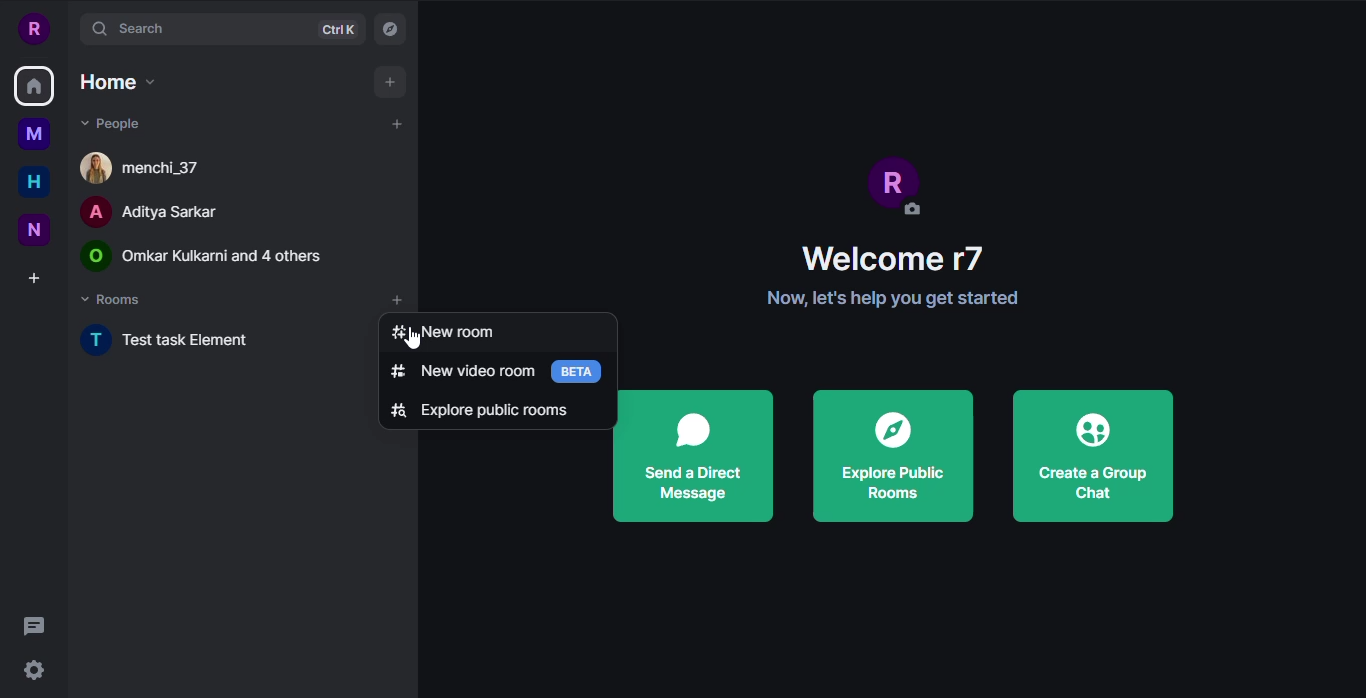 Image resolution: width=1366 pixels, height=698 pixels. Describe the element at coordinates (894, 298) in the screenshot. I see `info` at that location.